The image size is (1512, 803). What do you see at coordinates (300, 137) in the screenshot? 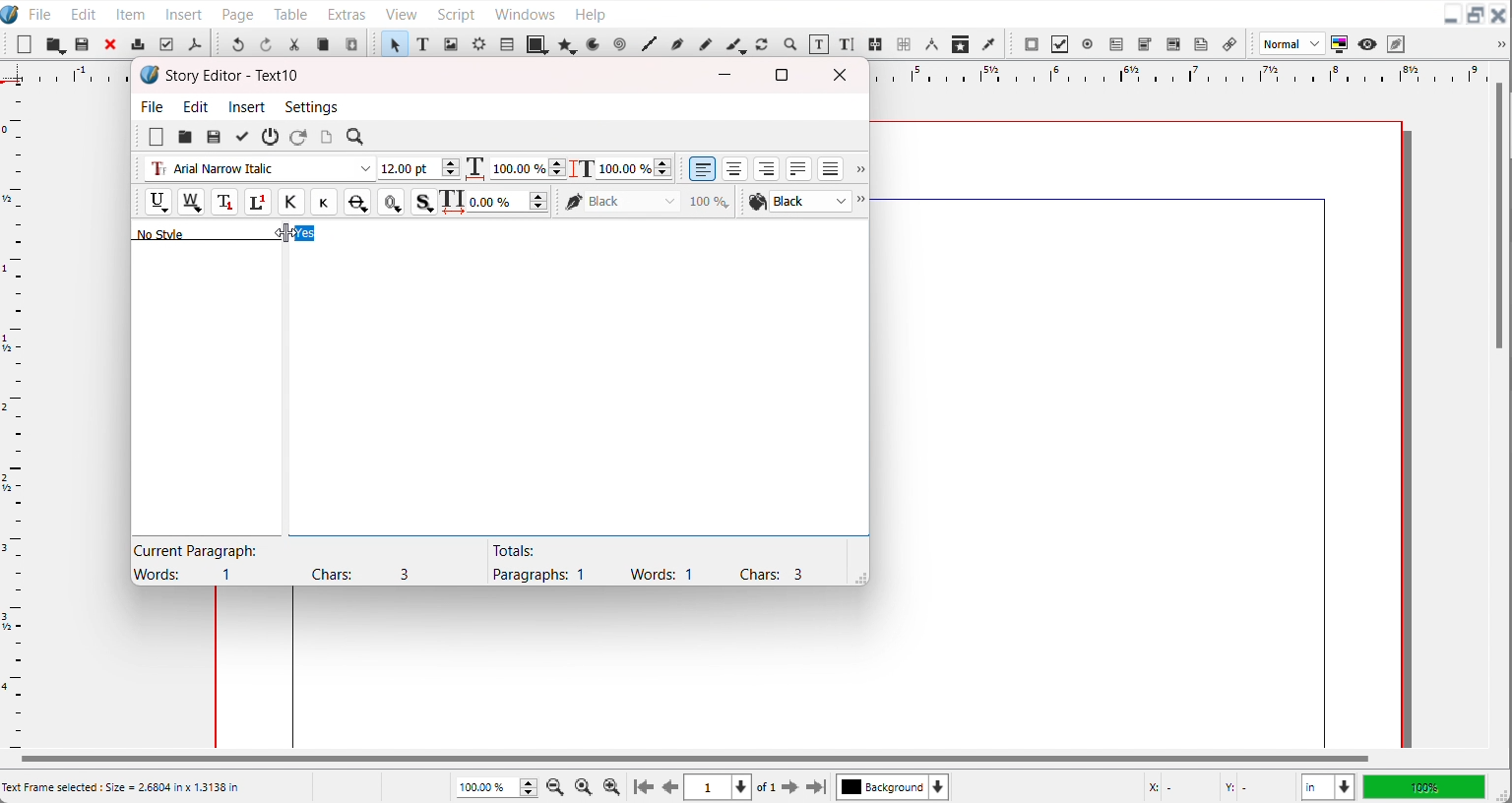
I see `Reload from the text frame` at bounding box center [300, 137].